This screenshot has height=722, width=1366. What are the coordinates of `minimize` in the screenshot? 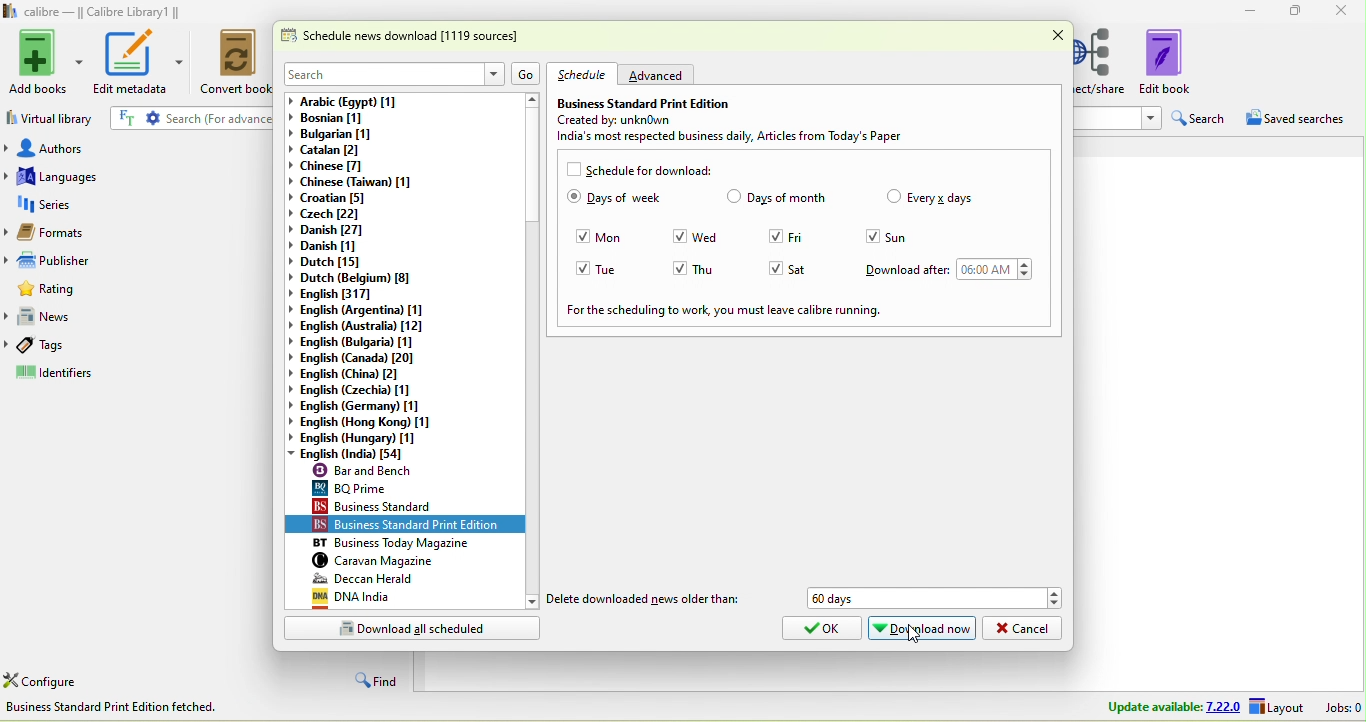 It's located at (1254, 11).